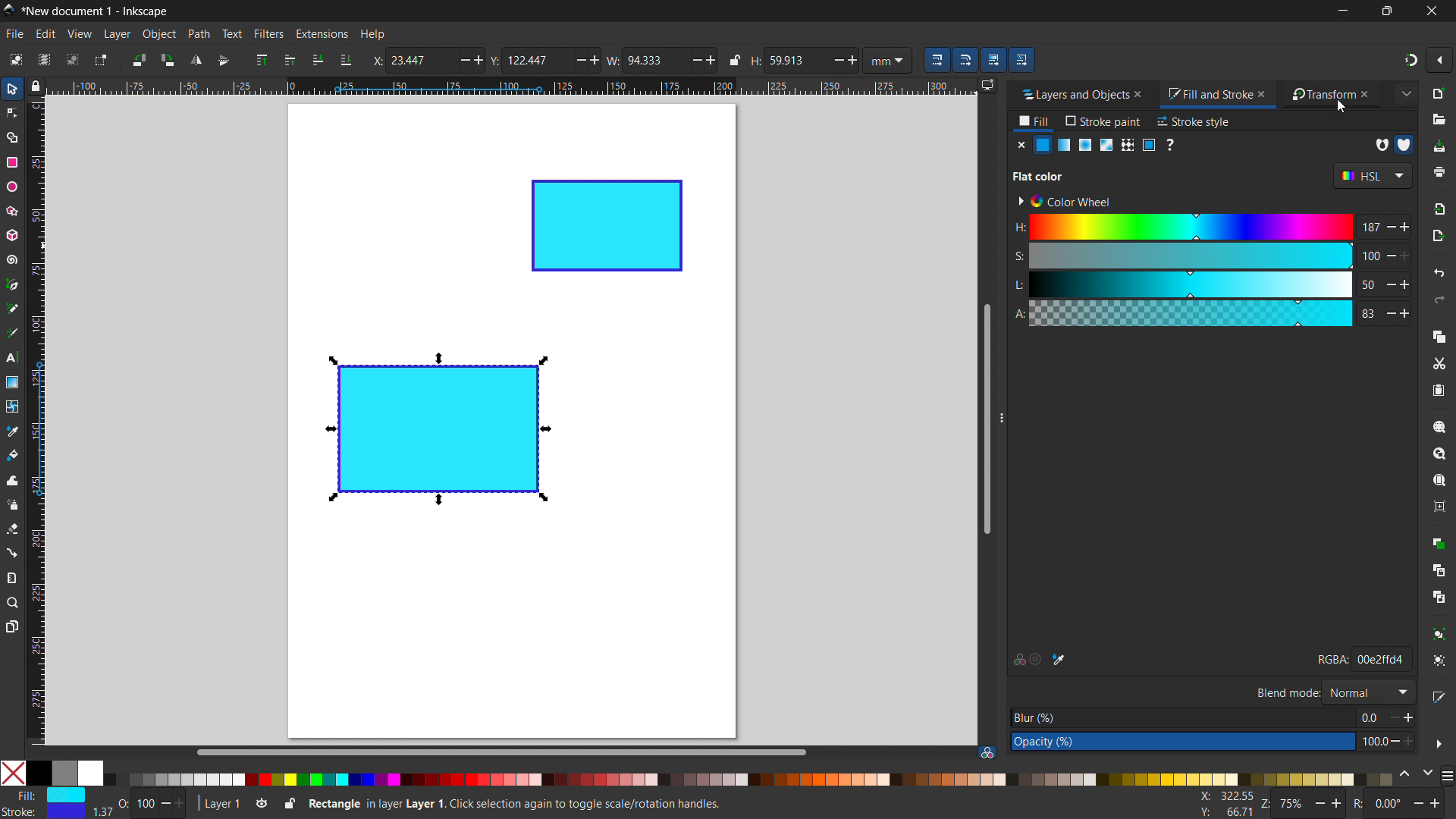 The height and width of the screenshot is (819, 1456). Describe the element at coordinates (993, 60) in the screenshot. I see `move gradients along with the objects` at that location.